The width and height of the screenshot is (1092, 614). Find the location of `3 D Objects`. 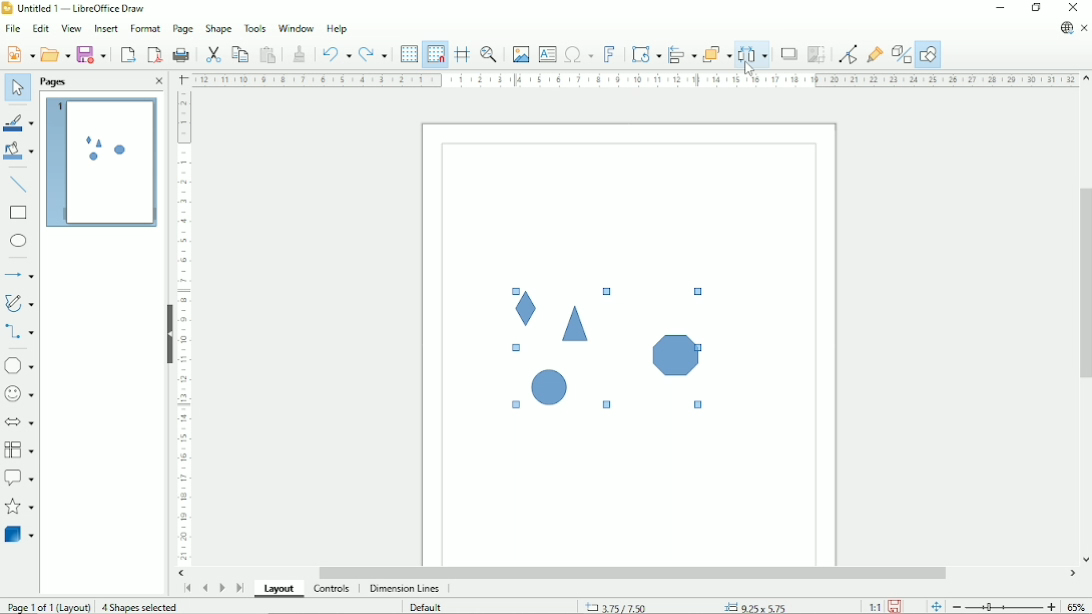

3 D Objects is located at coordinates (20, 535).